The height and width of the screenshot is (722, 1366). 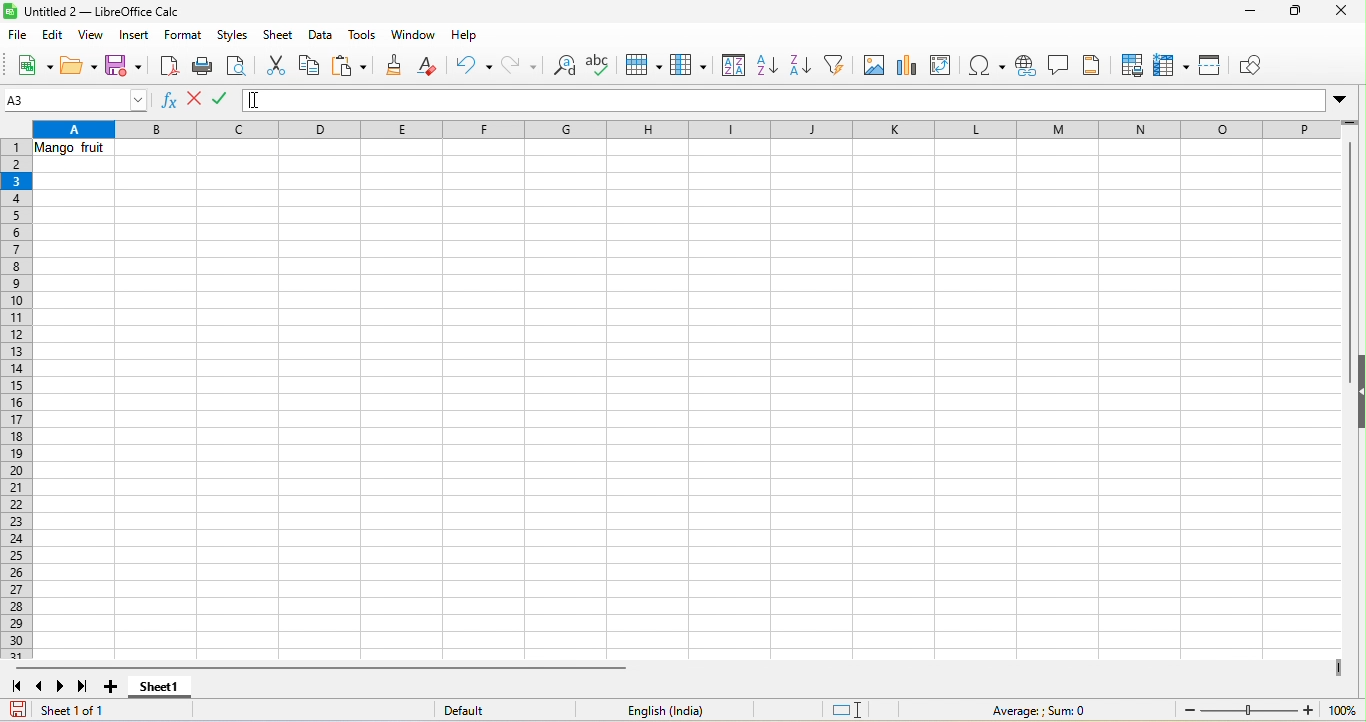 What do you see at coordinates (485, 711) in the screenshot?
I see `default` at bounding box center [485, 711].